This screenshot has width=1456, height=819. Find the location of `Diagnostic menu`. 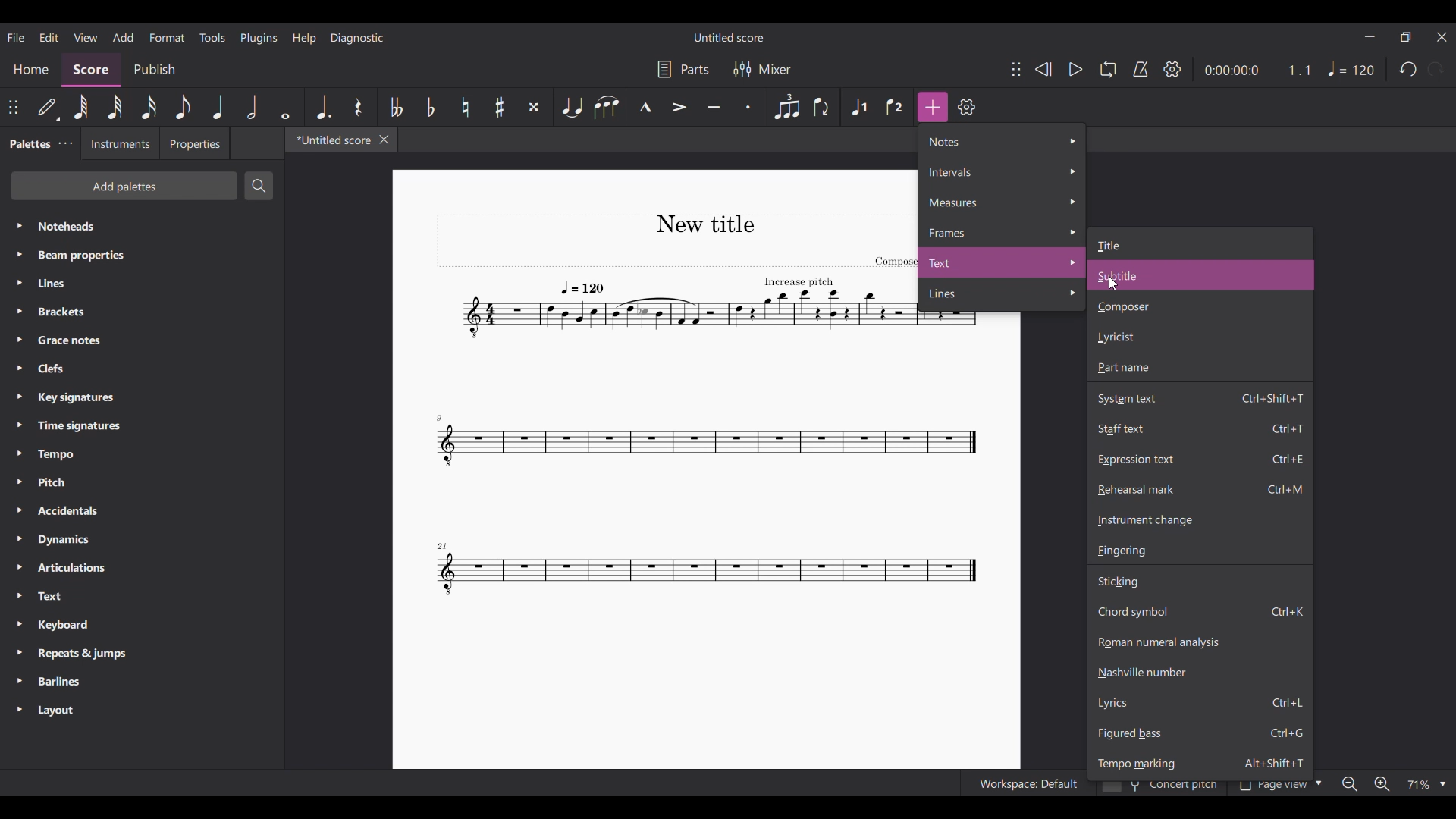

Diagnostic menu is located at coordinates (357, 38).